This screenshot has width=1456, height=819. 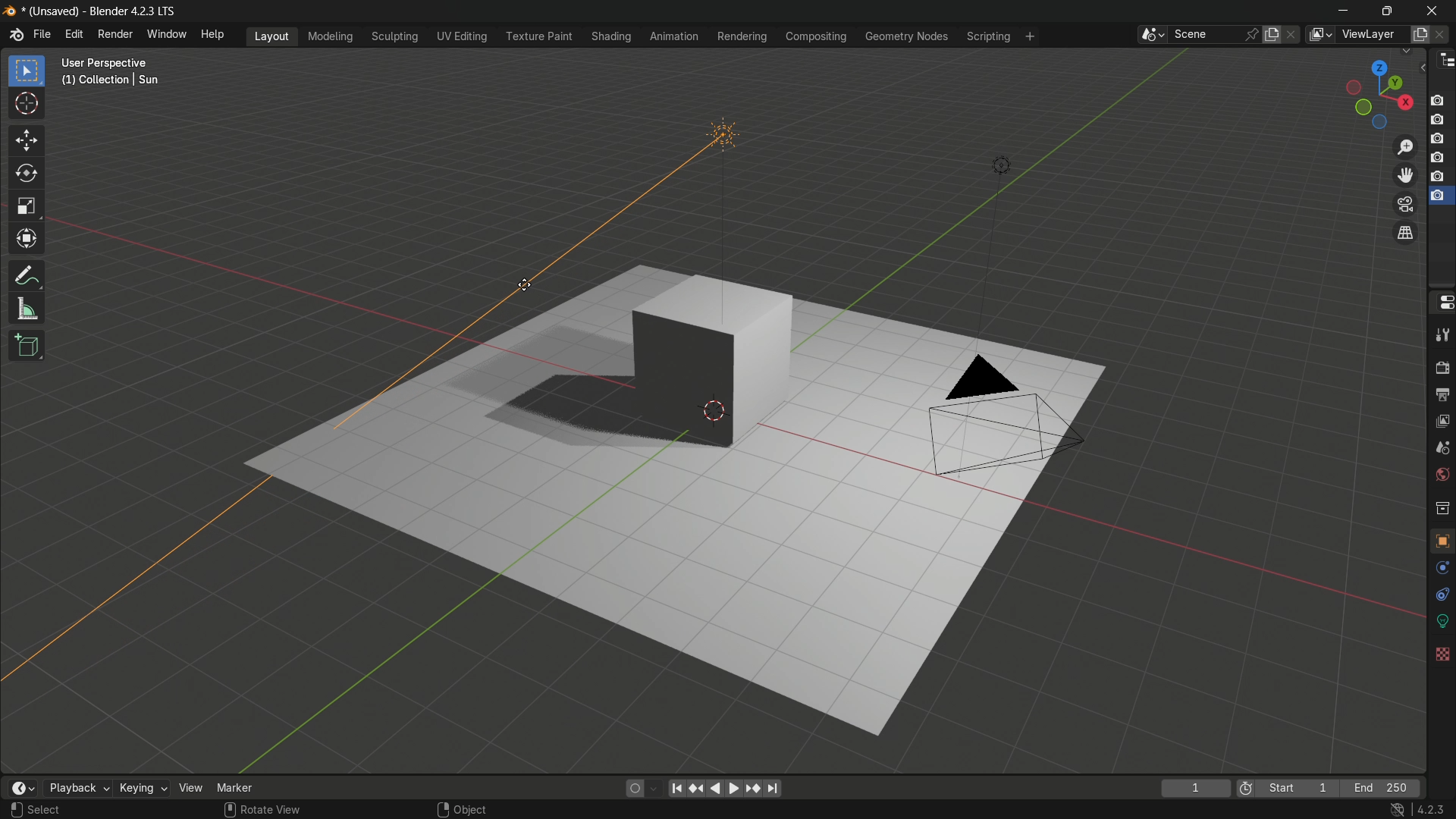 What do you see at coordinates (227, 809) in the screenshot?
I see `mouse scroll` at bounding box center [227, 809].